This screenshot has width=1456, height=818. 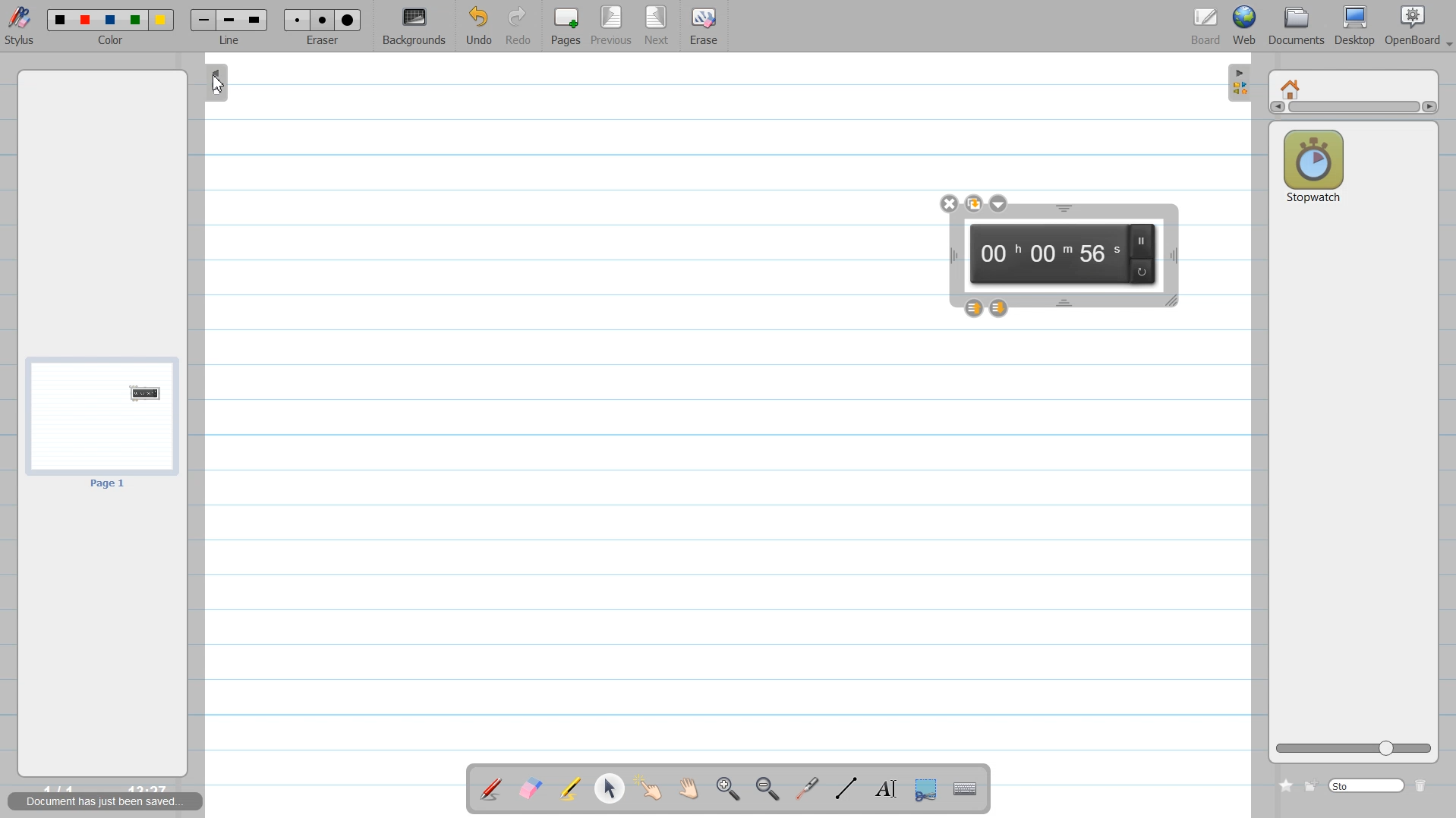 I want to click on 00, so click(x=997, y=254).